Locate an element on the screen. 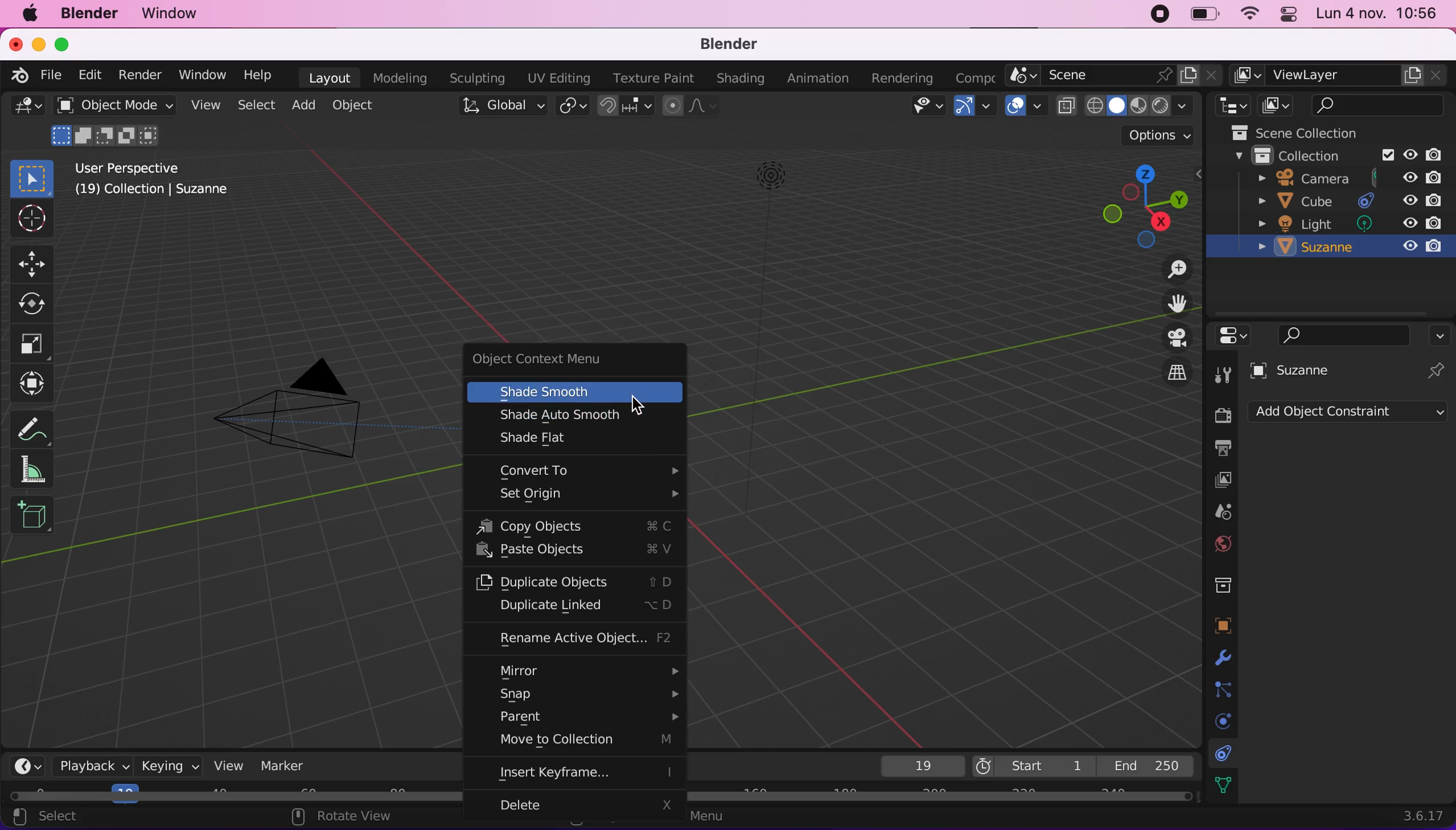 The width and height of the screenshot is (1456, 830). annotate is located at coordinates (32, 428).